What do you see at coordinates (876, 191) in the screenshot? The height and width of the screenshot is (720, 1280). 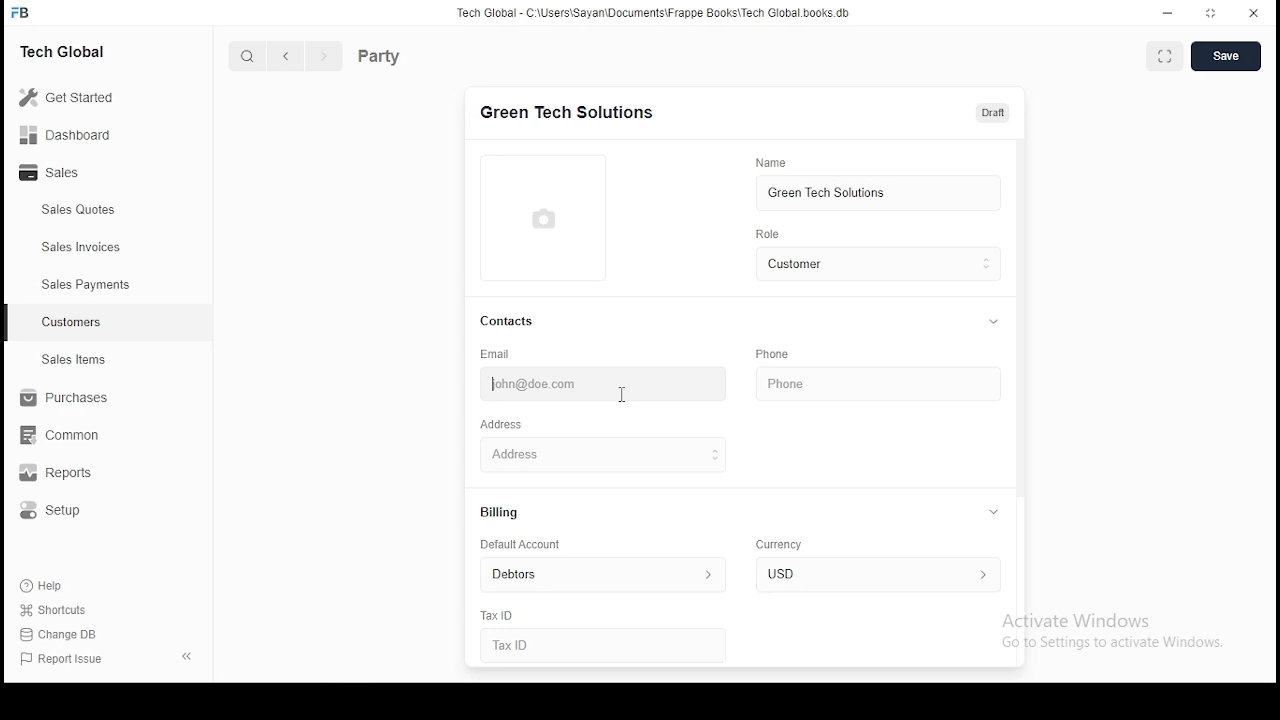 I see `green tech solutions` at bounding box center [876, 191].